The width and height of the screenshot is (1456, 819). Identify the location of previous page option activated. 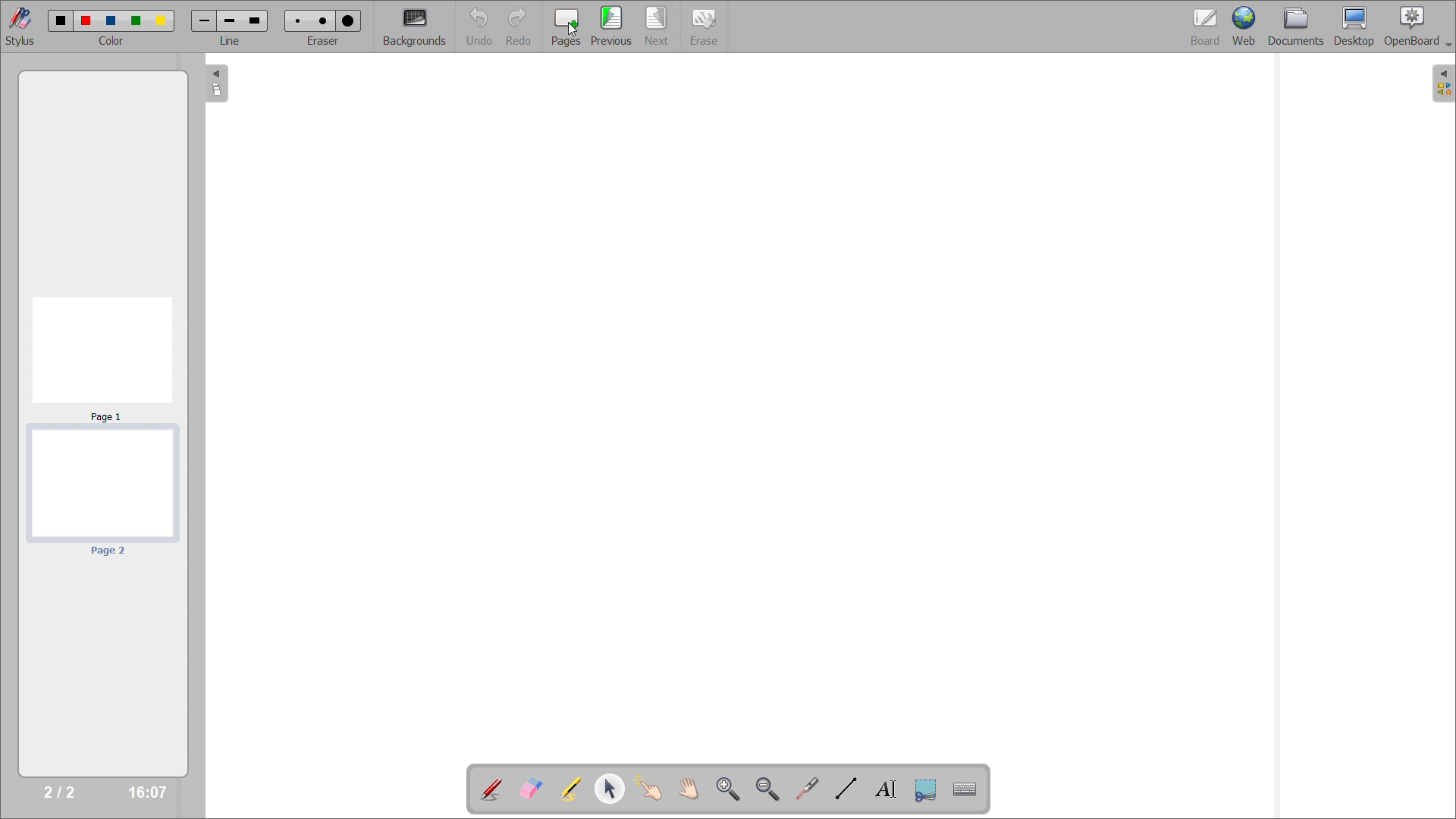
(612, 27).